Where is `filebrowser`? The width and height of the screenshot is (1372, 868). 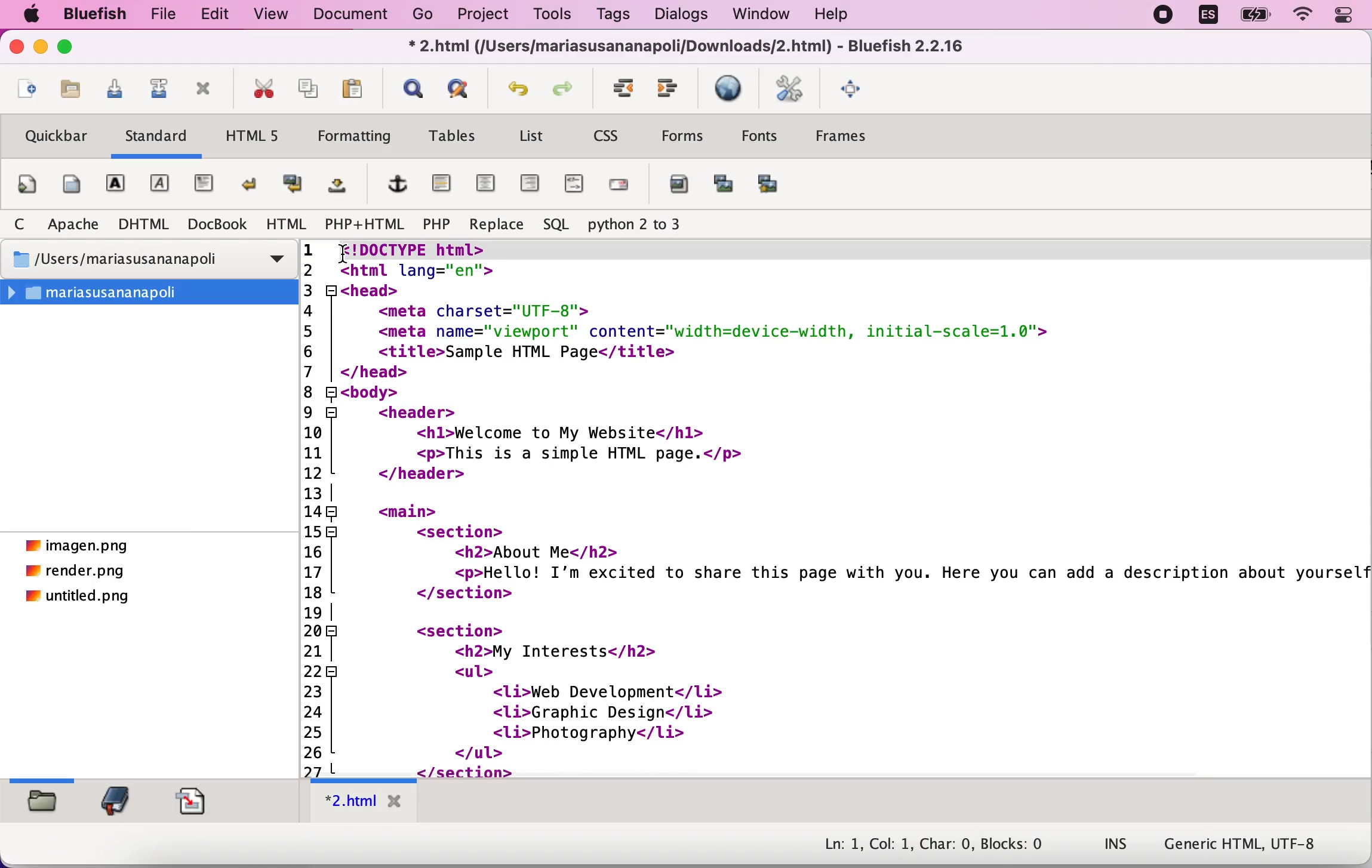 filebrowser is located at coordinates (43, 807).